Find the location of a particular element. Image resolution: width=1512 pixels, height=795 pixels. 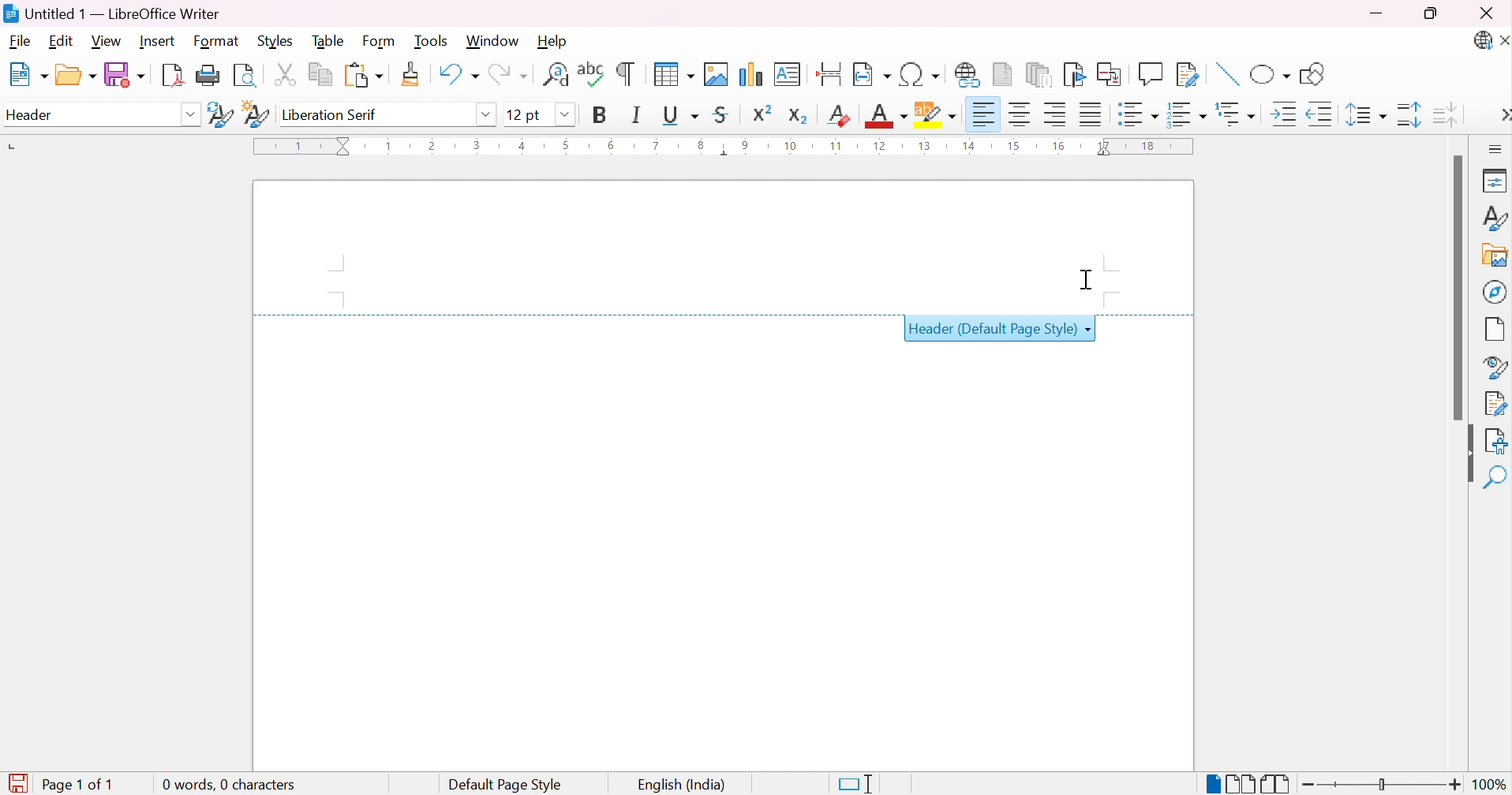

Single-page view is located at coordinates (1214, 785).